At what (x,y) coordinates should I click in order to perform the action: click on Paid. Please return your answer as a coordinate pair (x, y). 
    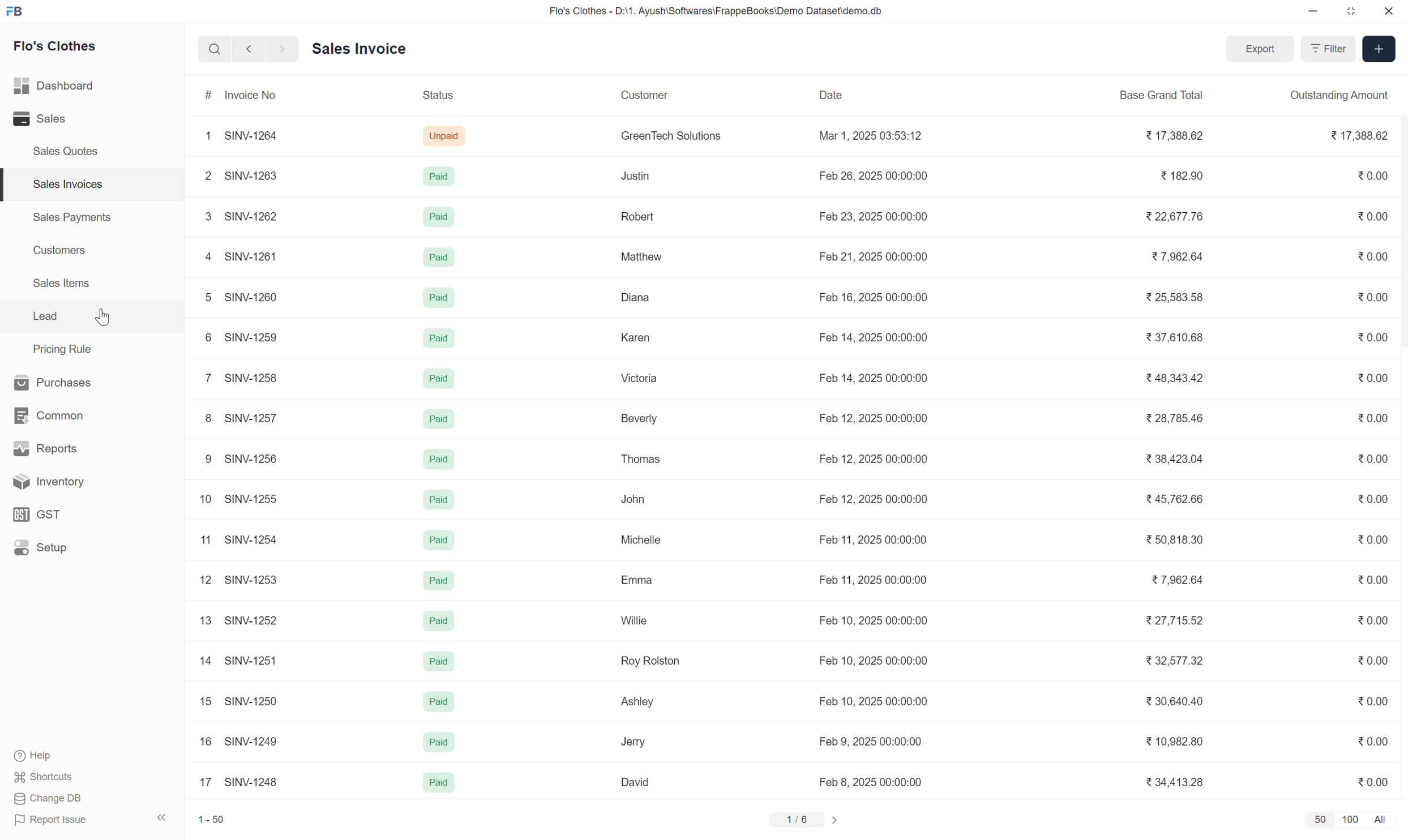
    Looking at the image, I should click on (438, 298).